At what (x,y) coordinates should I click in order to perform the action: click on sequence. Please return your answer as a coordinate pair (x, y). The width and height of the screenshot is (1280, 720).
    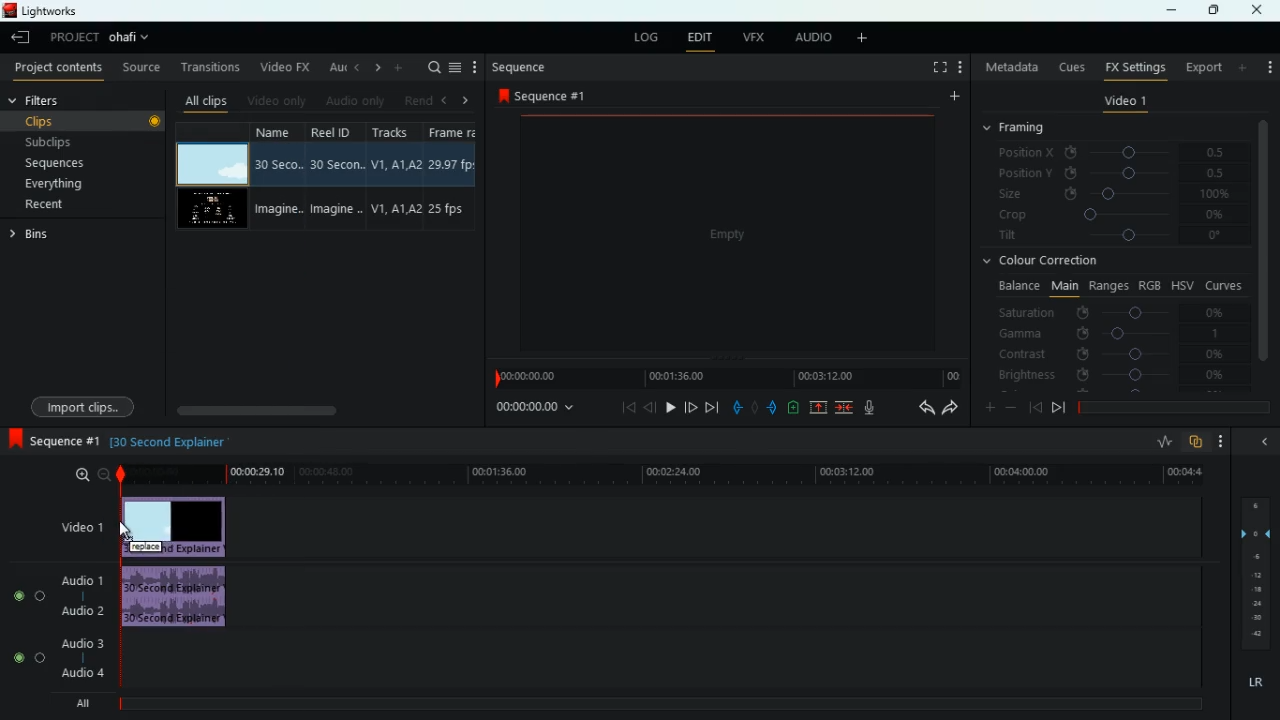
    Looking at the image, I should click on (518, 67).